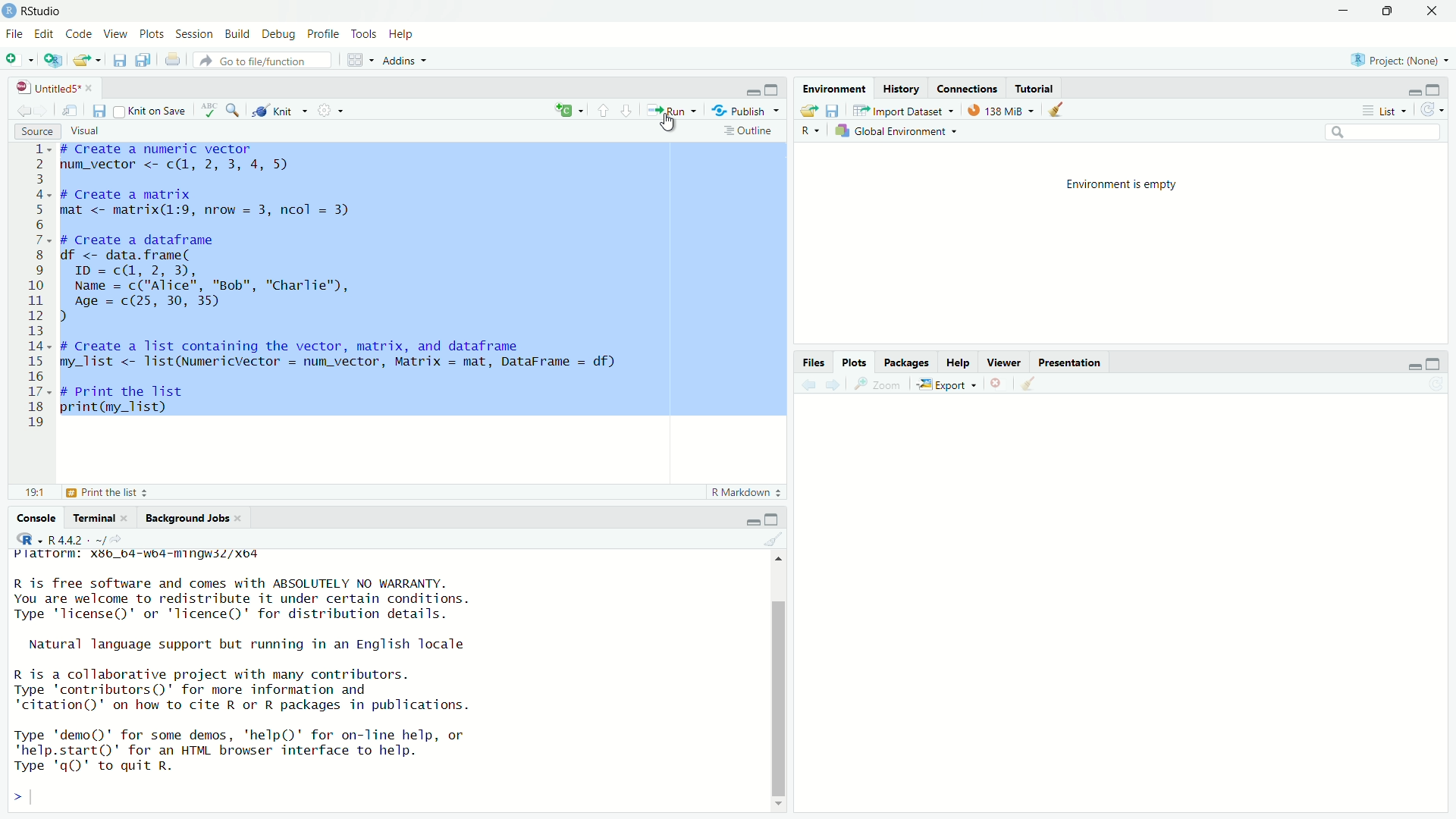 This screenshot has height=819, width=1456. Describe the element at coordinates (1059, 111) in the screenshot. I see `clear` at that location.